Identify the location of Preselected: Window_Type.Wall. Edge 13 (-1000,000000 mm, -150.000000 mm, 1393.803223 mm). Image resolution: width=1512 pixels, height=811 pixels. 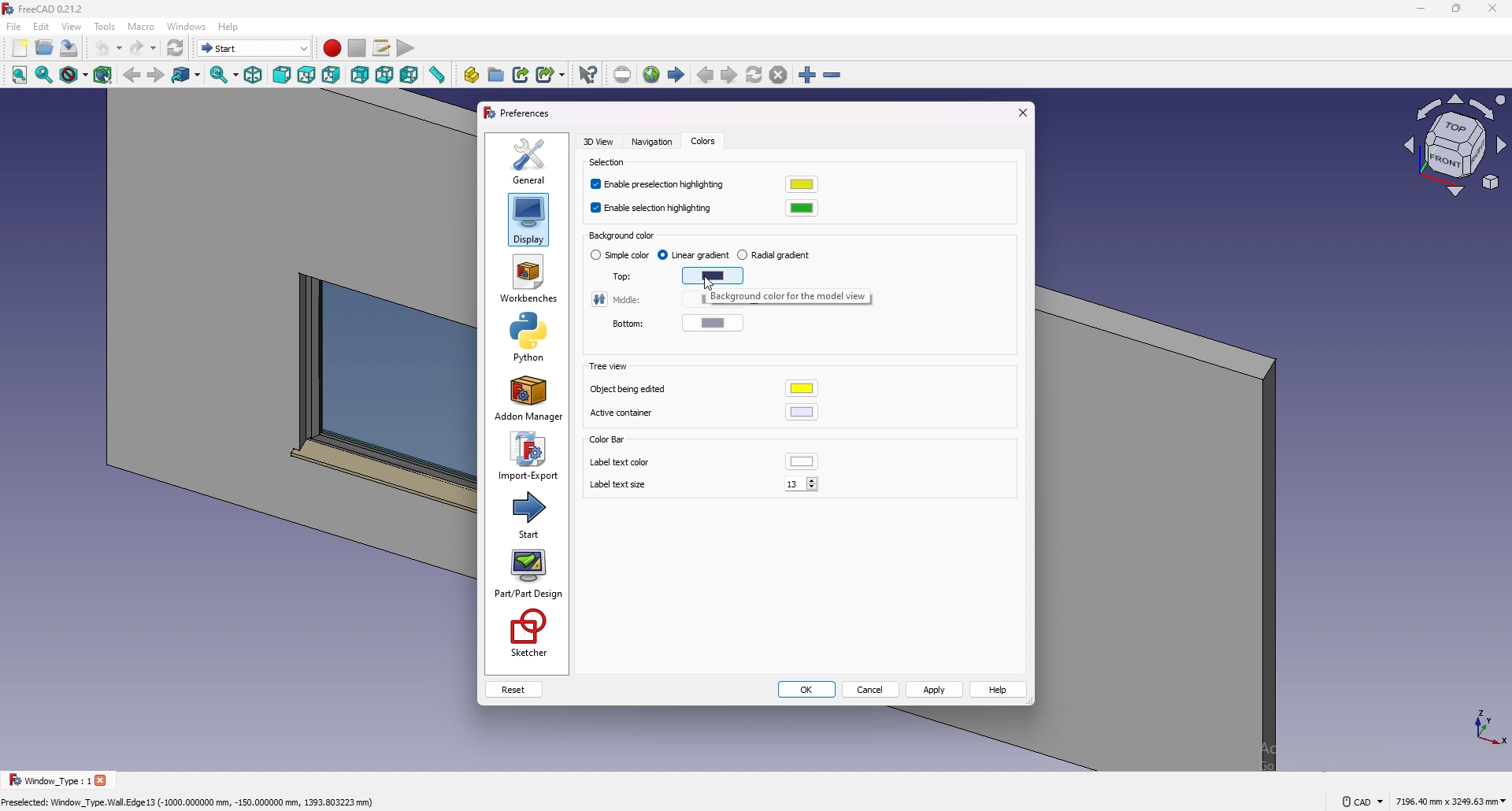
(191, 800).